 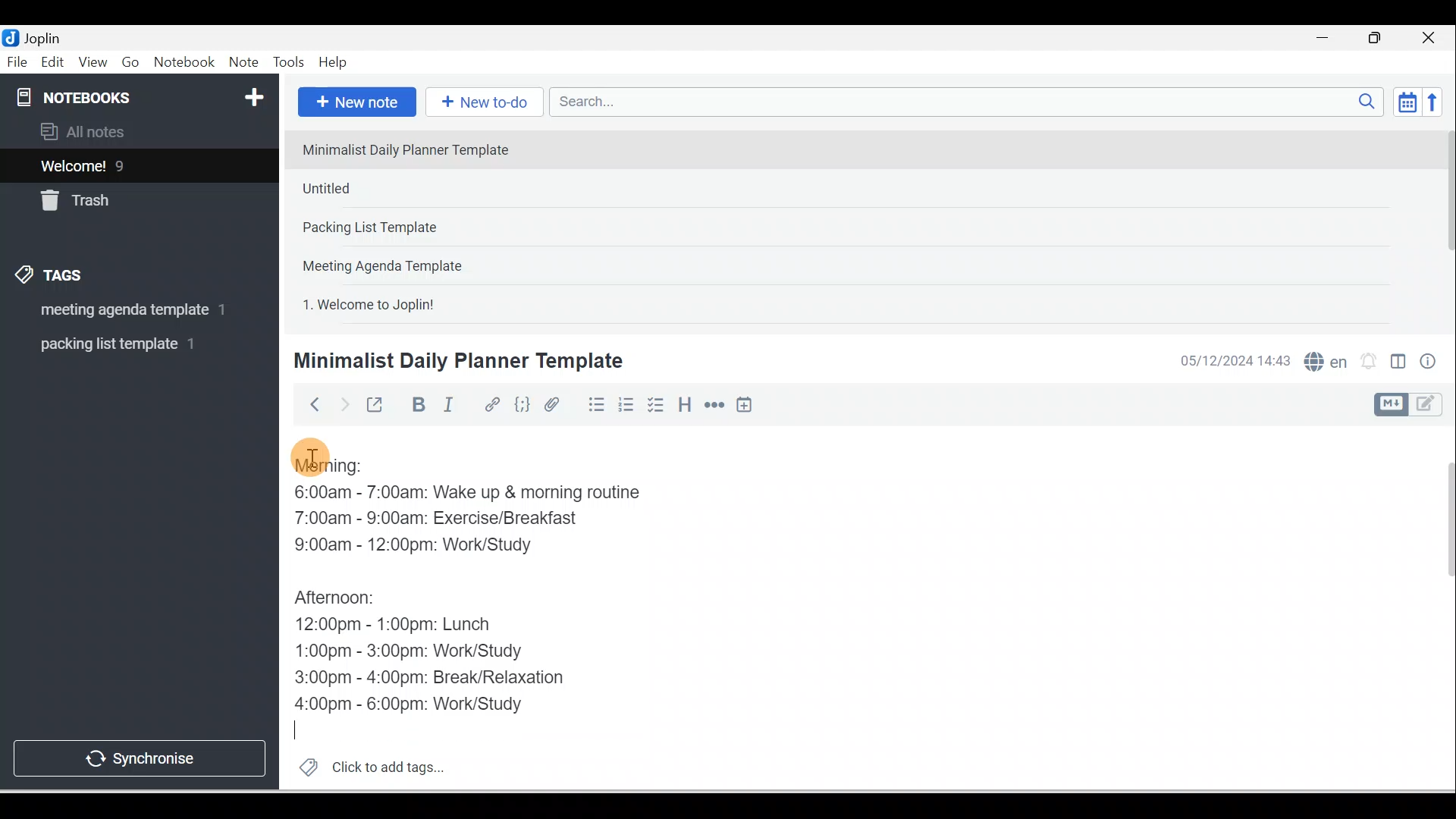 I want to click on Toggle sort order, so click(x=1407, y=101).